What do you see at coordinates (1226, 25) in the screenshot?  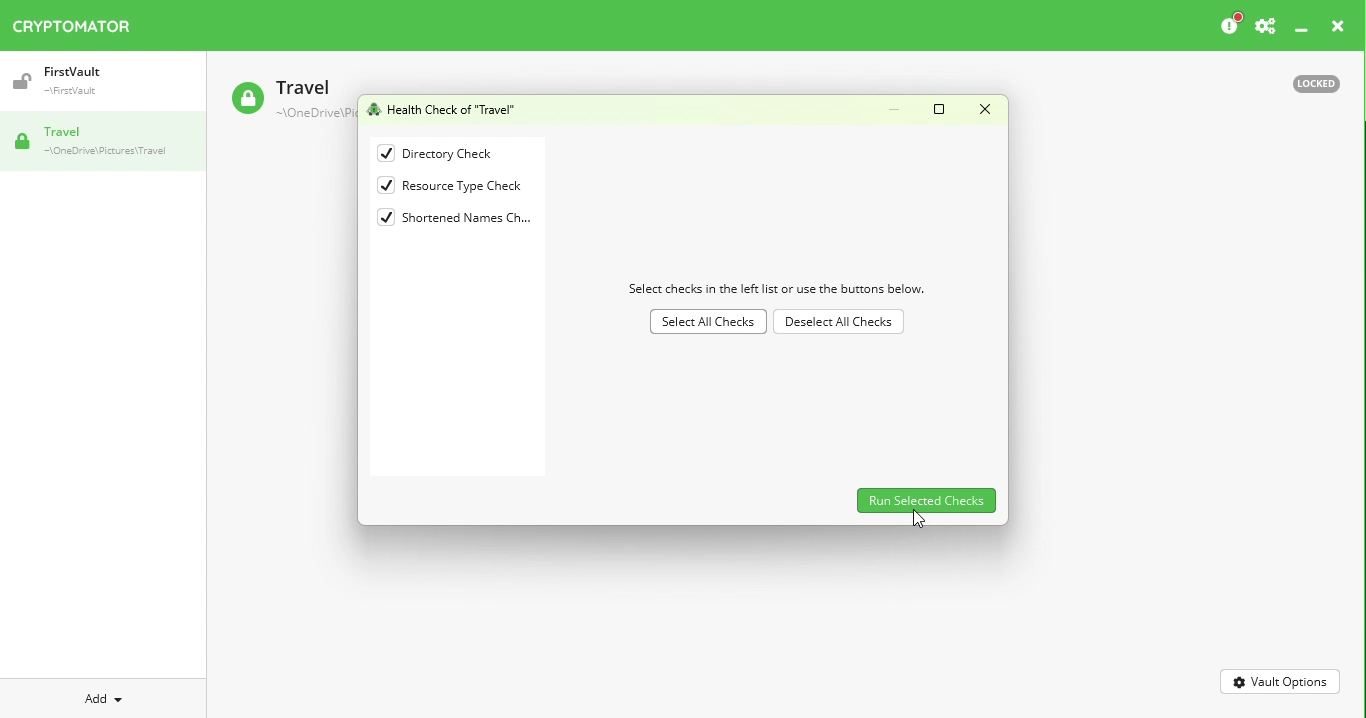 I see `Please consider donating` at bounding box center [1226, 25].